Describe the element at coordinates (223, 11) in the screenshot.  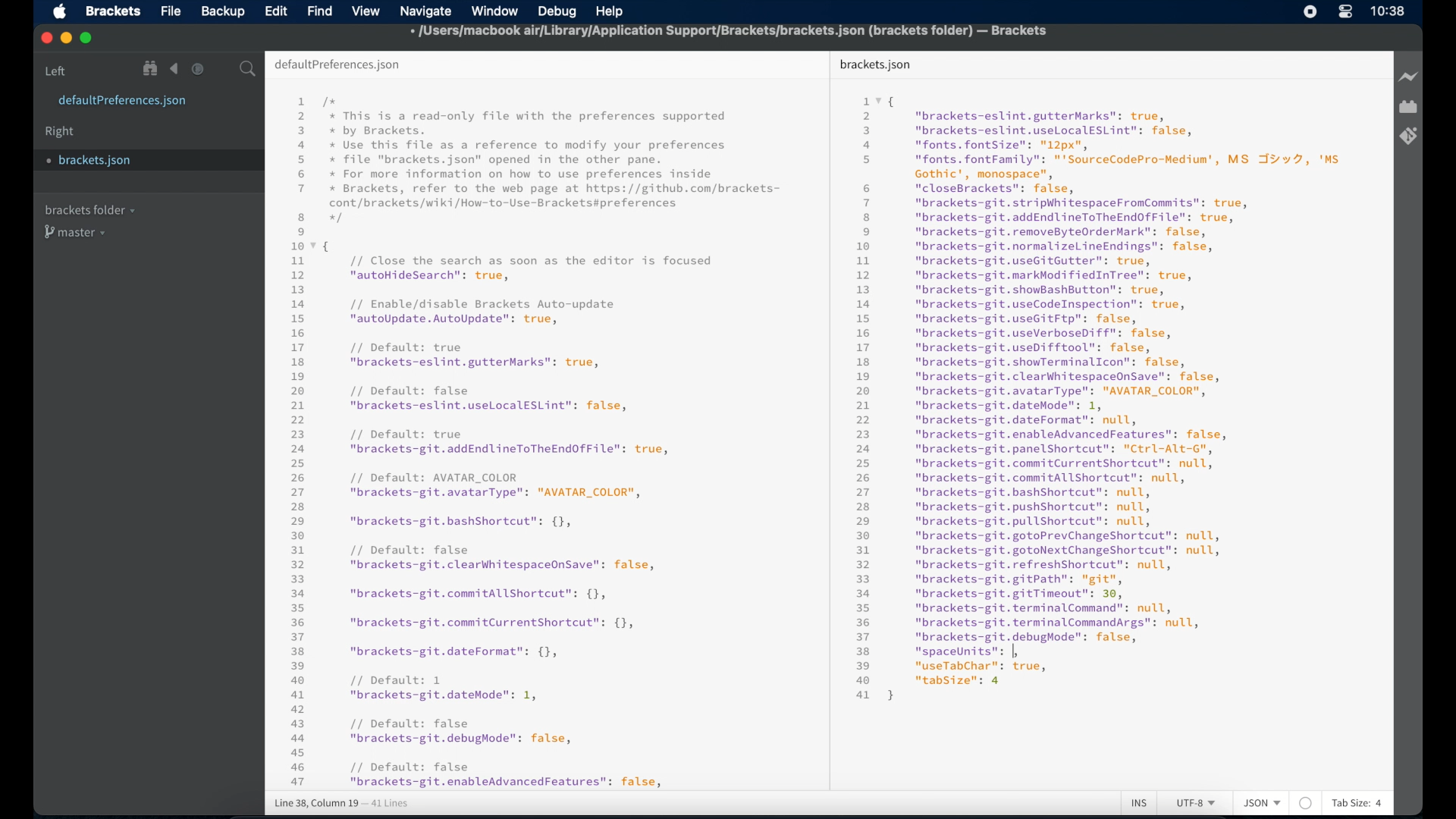
I see `backup` at that location.